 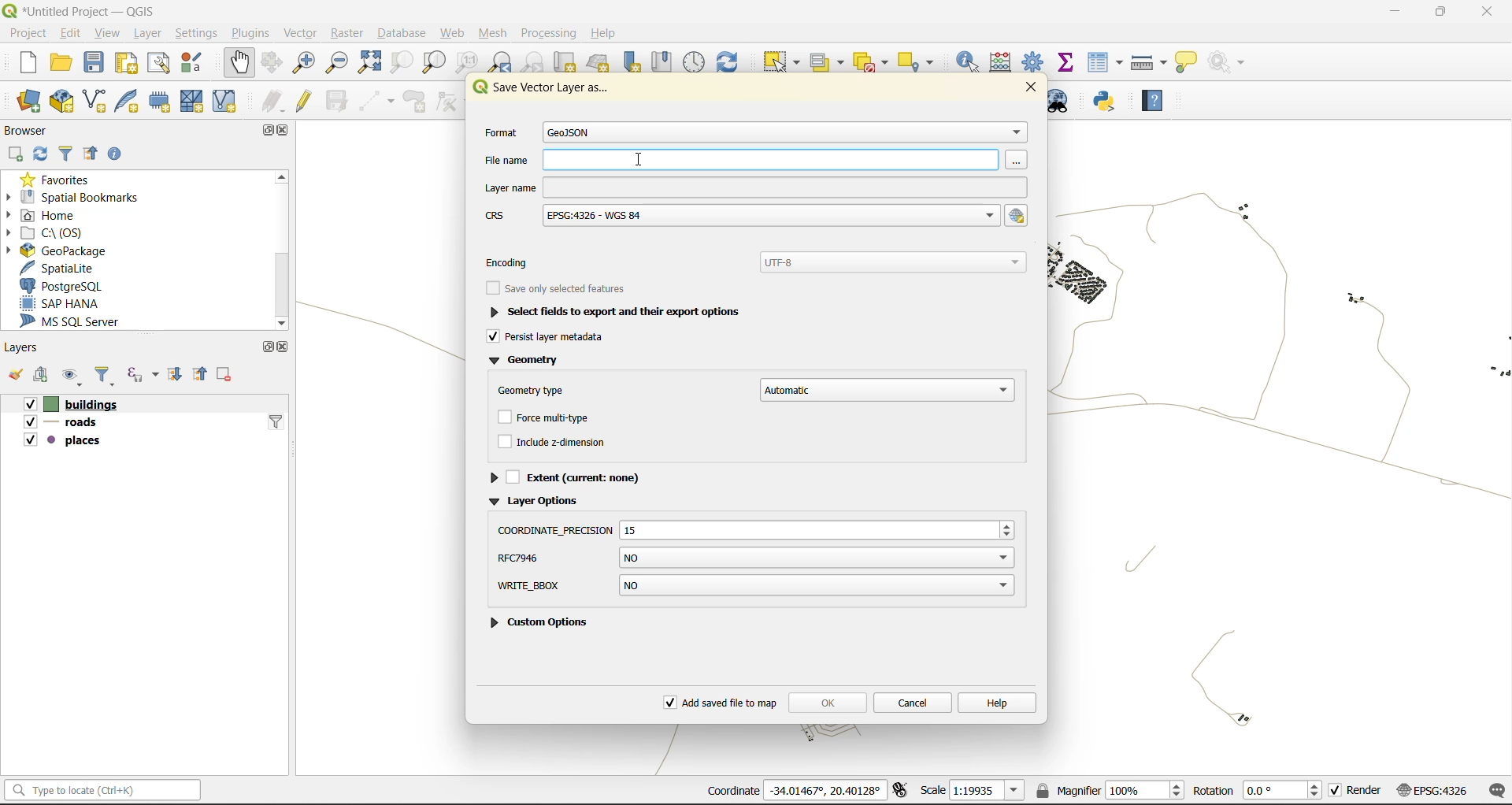 What do you see at coordinates (575, 476) in the screenshot?
I see `extent` at bounding box center [575, 476].